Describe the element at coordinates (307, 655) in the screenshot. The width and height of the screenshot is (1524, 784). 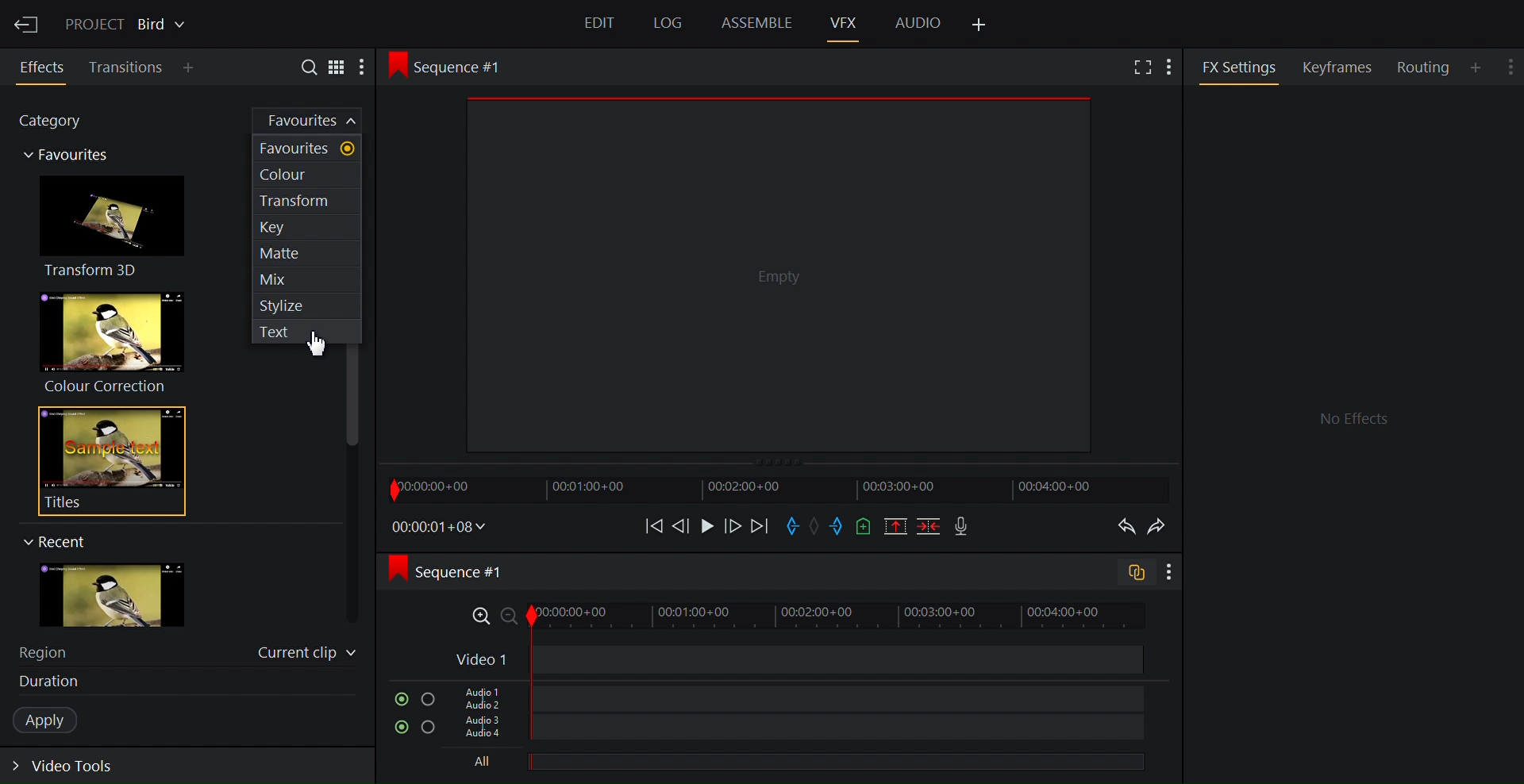
I see `Current clip` at that location.